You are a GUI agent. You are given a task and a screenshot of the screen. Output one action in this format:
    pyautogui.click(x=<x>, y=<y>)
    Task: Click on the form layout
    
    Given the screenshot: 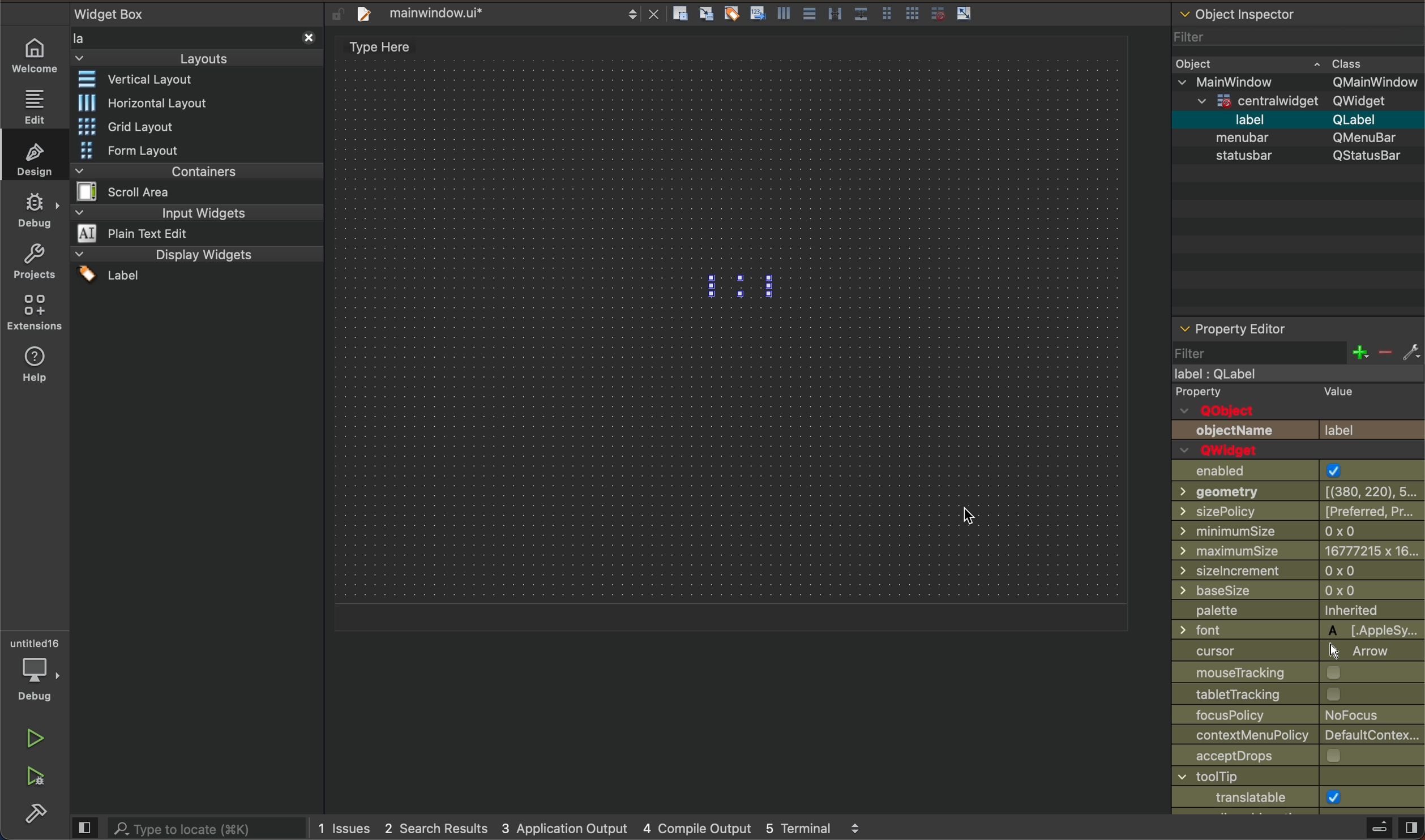 What is the action you would take?
    pyautogui.click(x=156, y=150)
    